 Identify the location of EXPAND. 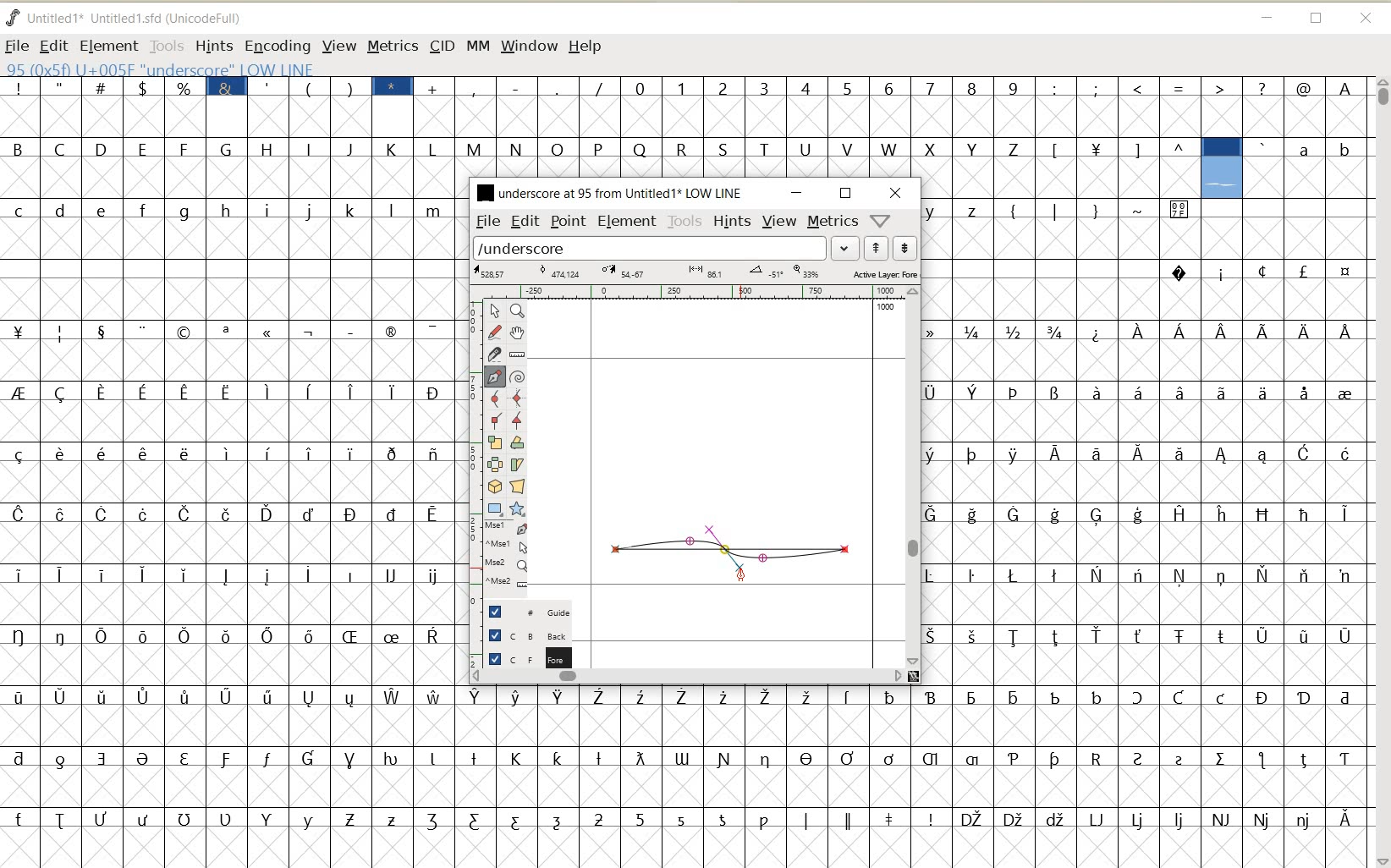
(846, 249).